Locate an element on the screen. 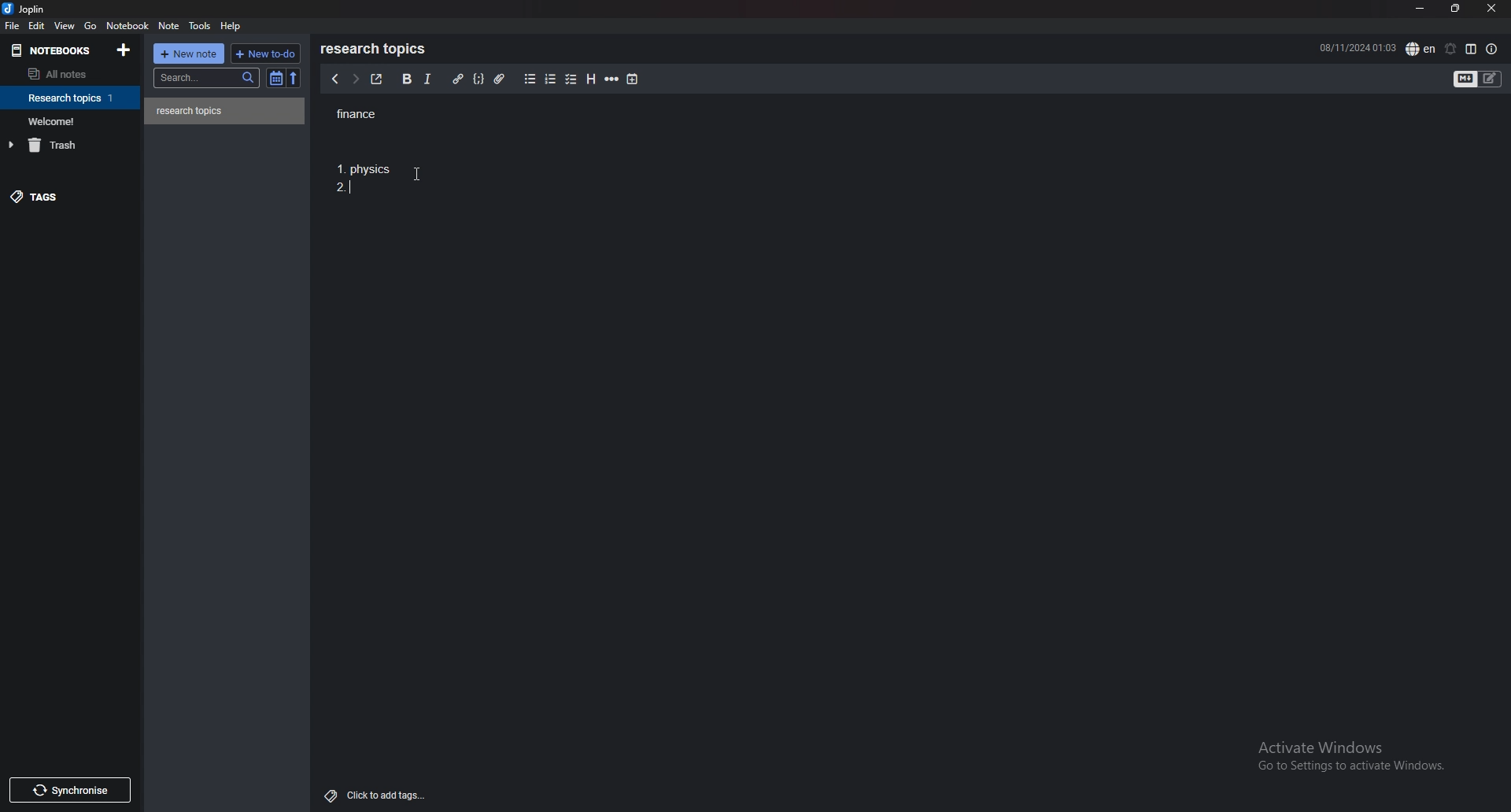 Image resolution: width=1511 pixels, height=812 pixels. research topics is located at coordinates (376, 49).